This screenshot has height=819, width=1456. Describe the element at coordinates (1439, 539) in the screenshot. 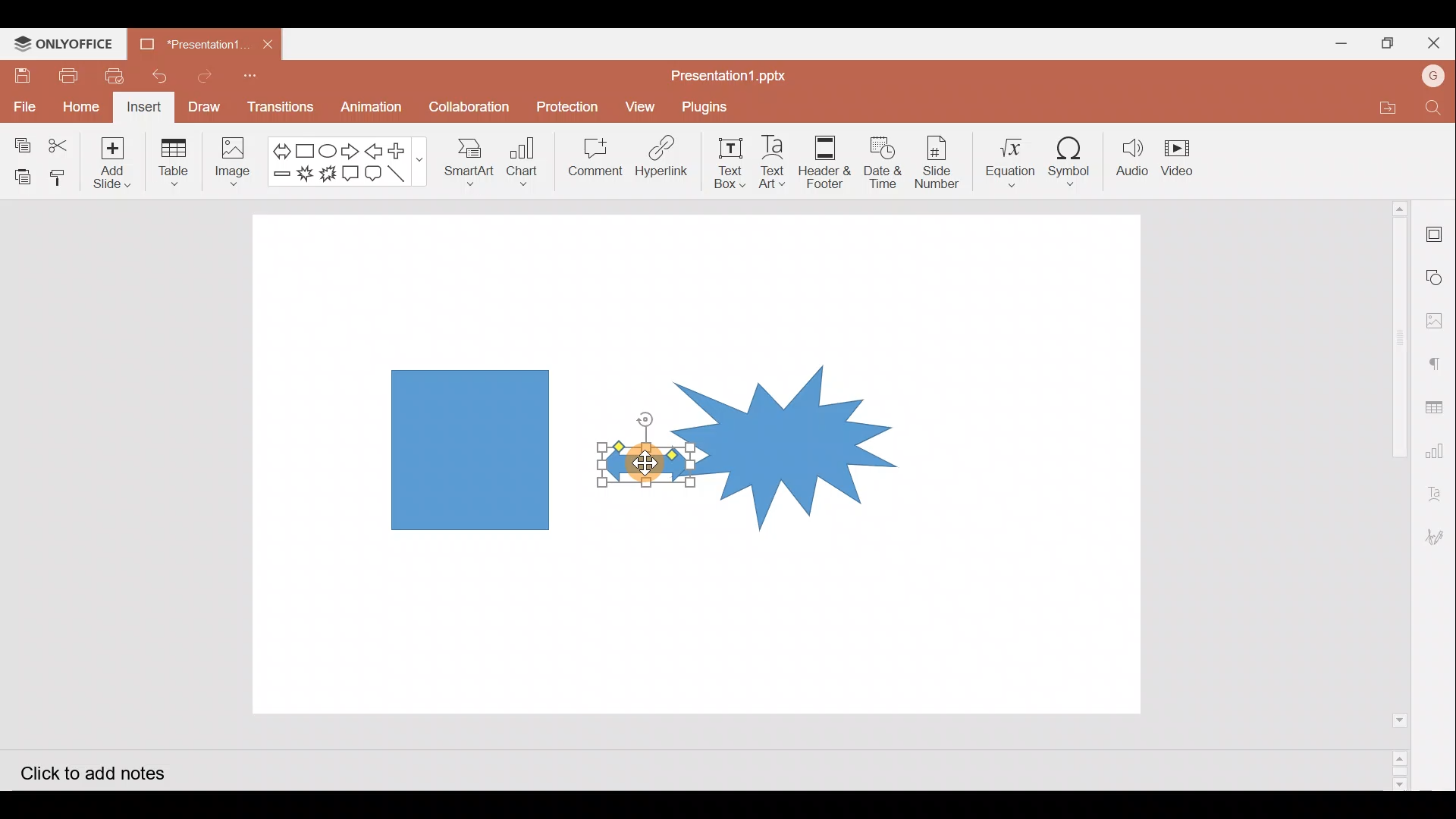

I see `Signature settings` at that location.